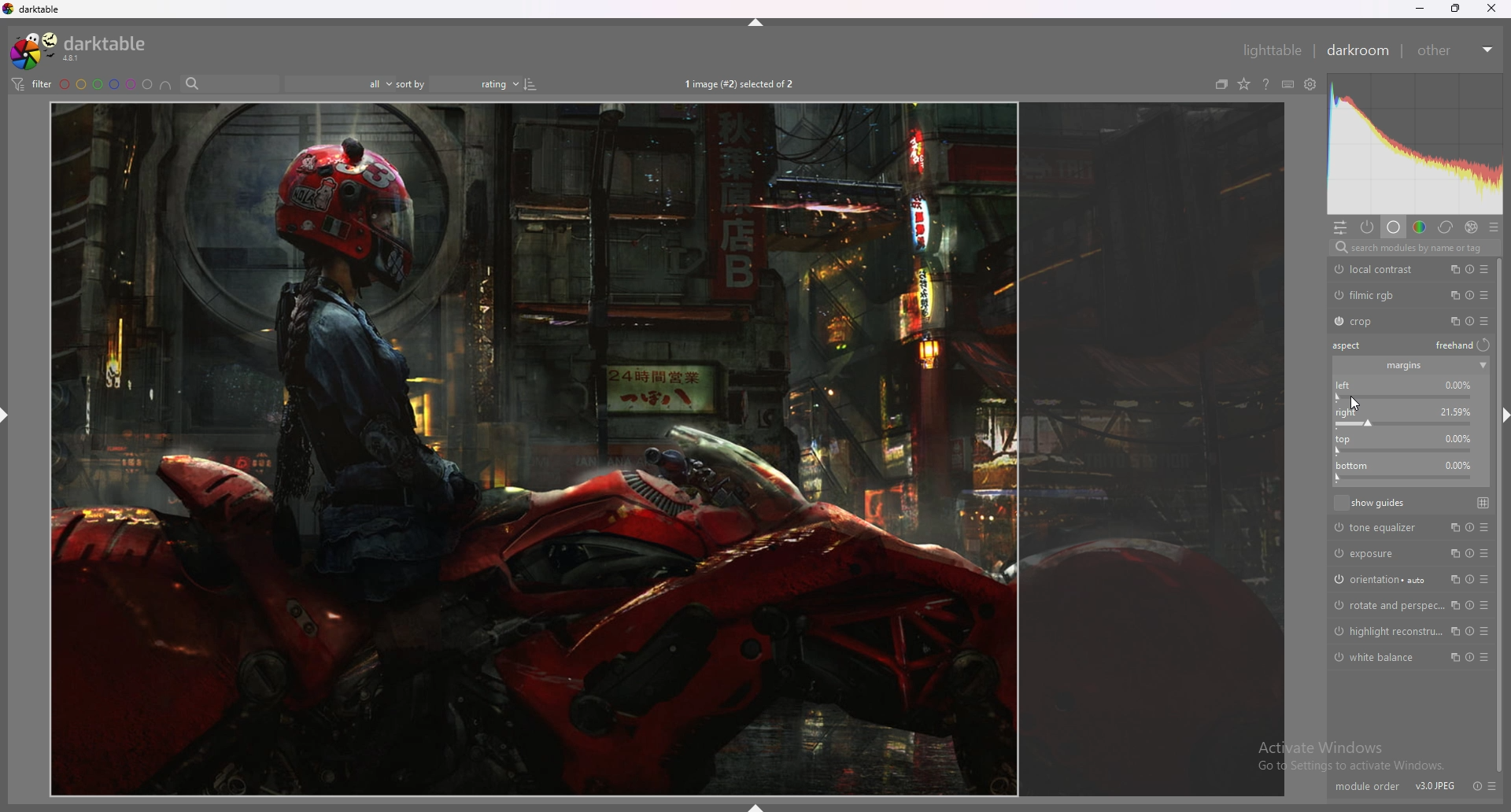  What do you see at coordinates (1408, 390) in the screenshot?
I see `left` at bounding box center [1408, 390].